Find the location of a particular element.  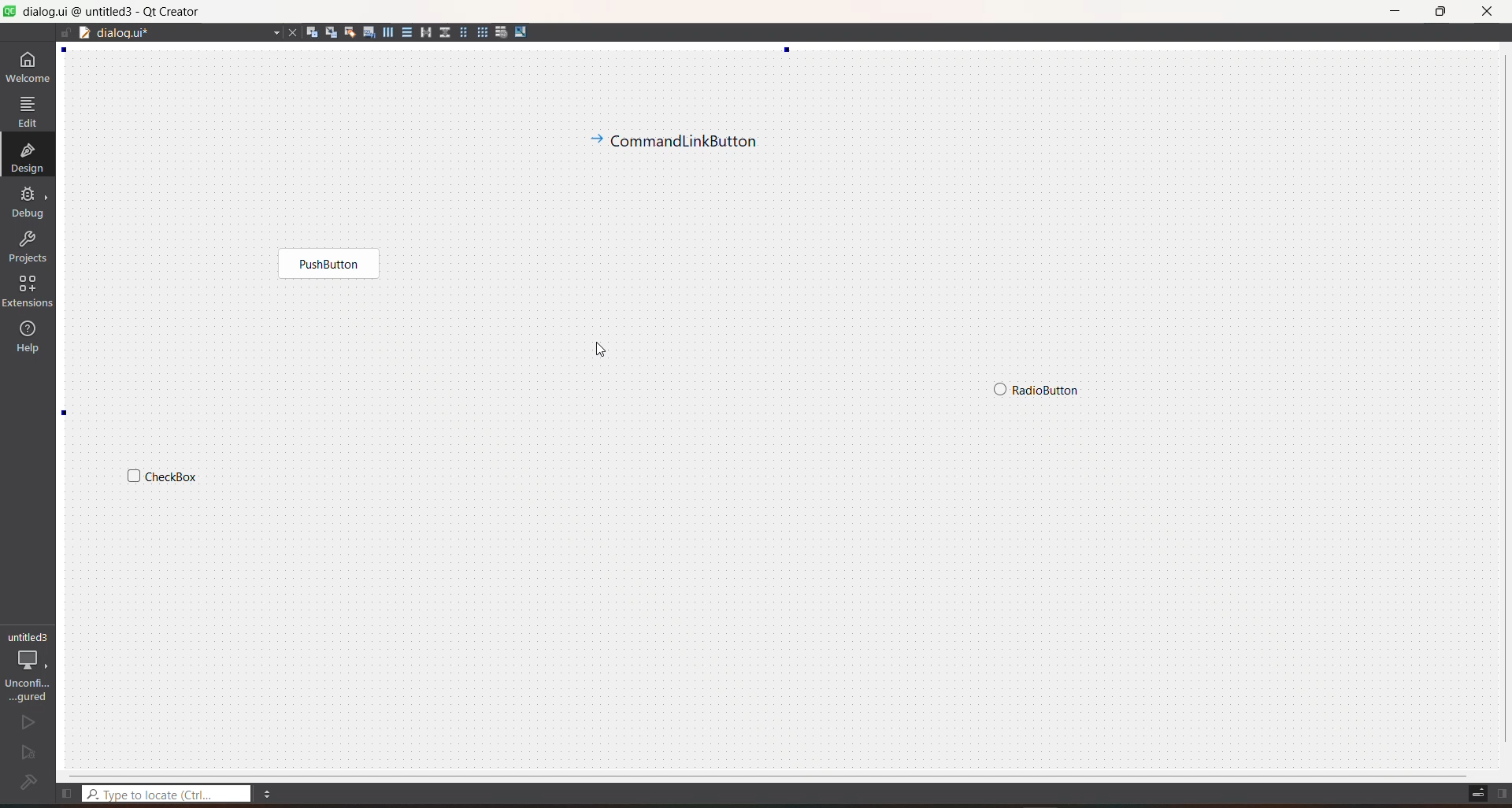

file name is located at coordinates (189, 33).